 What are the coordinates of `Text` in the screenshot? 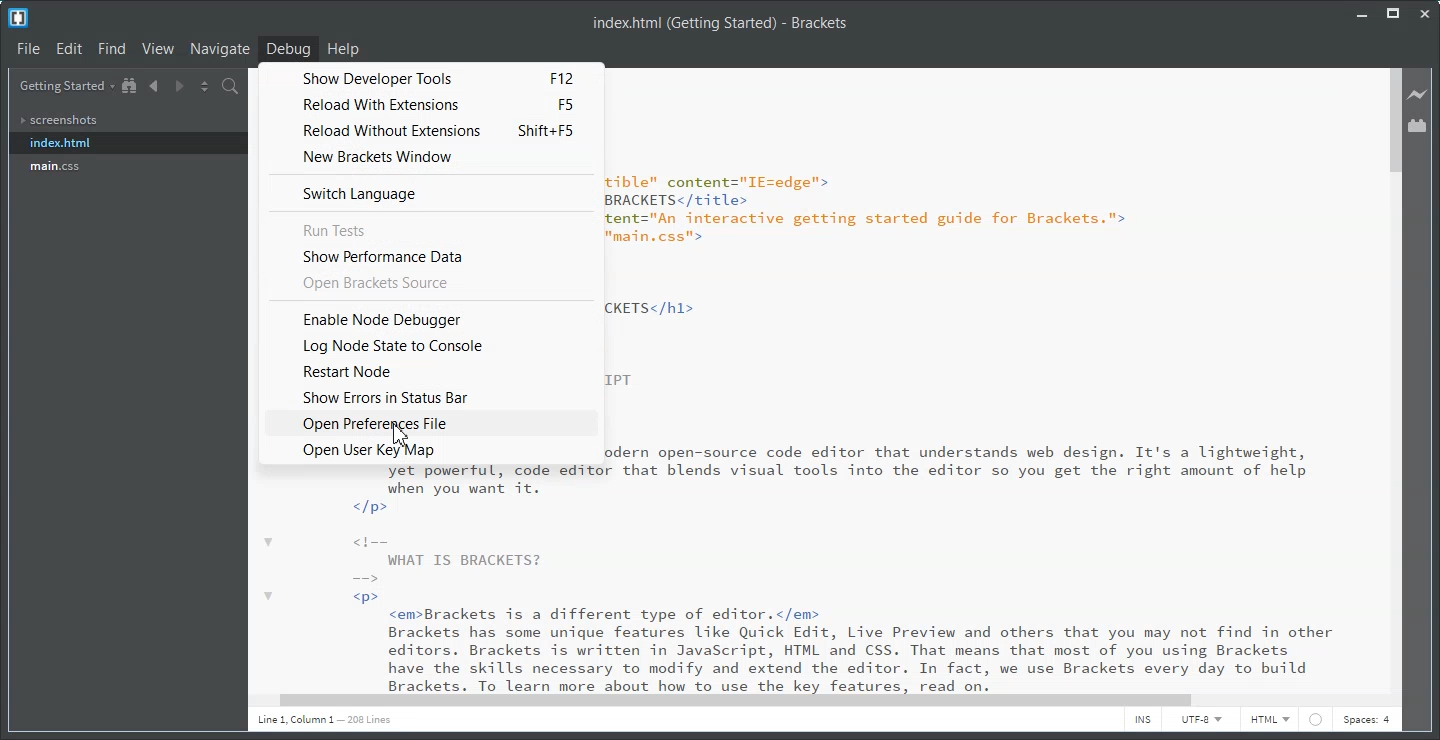 It's located at (324, 720).